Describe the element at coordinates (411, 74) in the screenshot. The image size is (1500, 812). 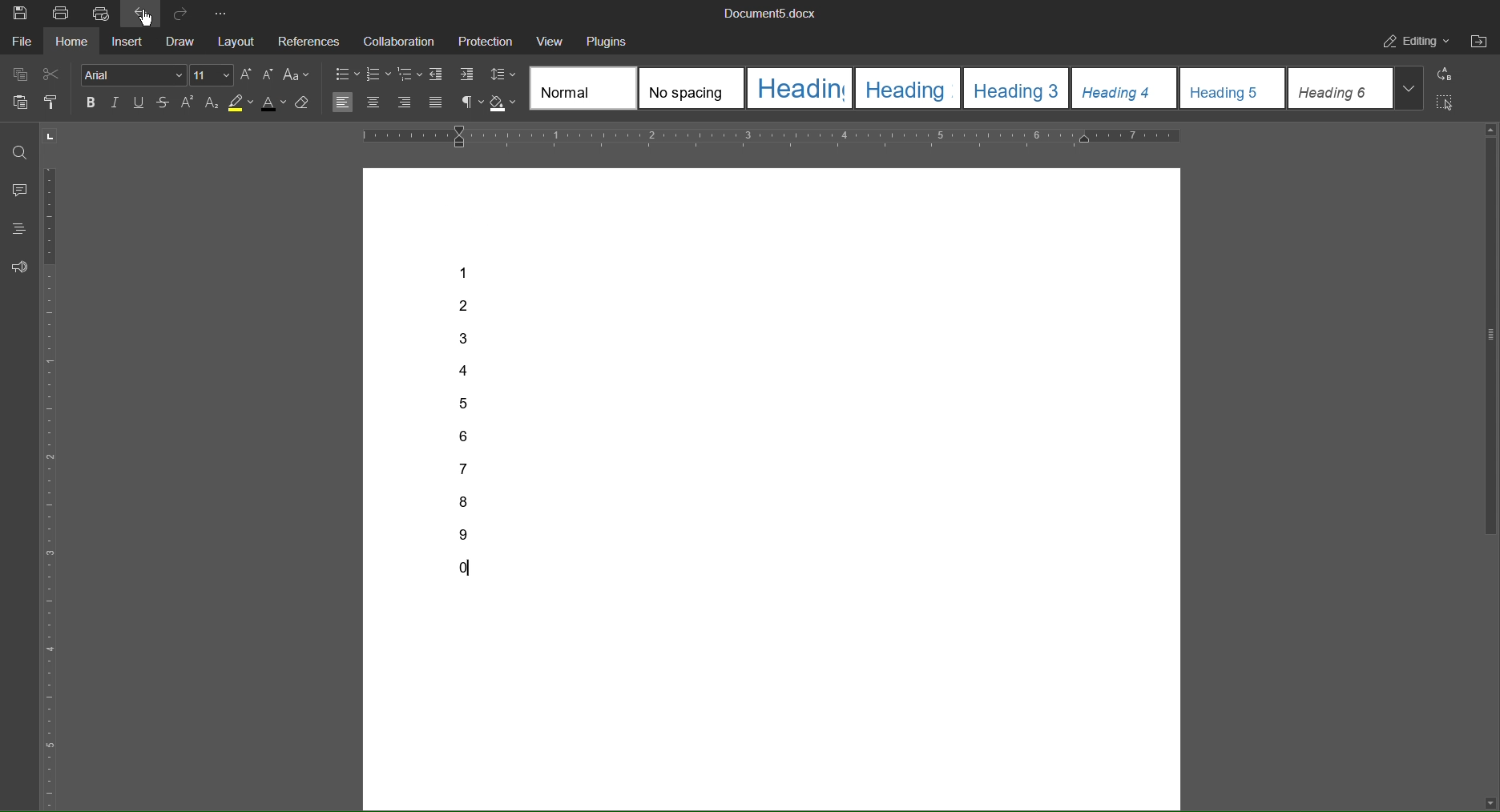
I see `Multilevel lists` at that location.